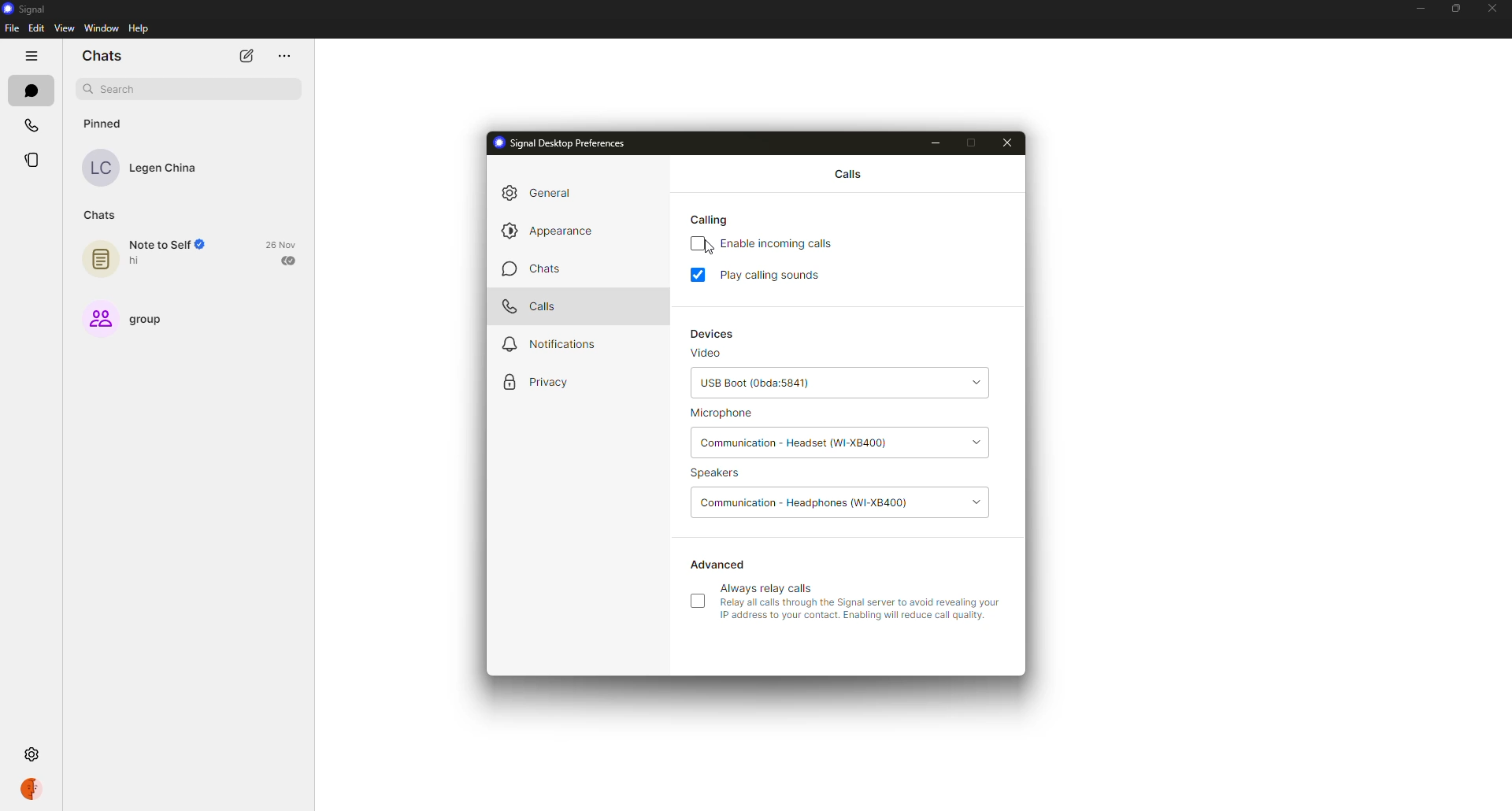 The width and height of the screenshot is (1512, 811). Describe the element at coordinates (717, 473) in the screenshot. I see `speakers` at that location.